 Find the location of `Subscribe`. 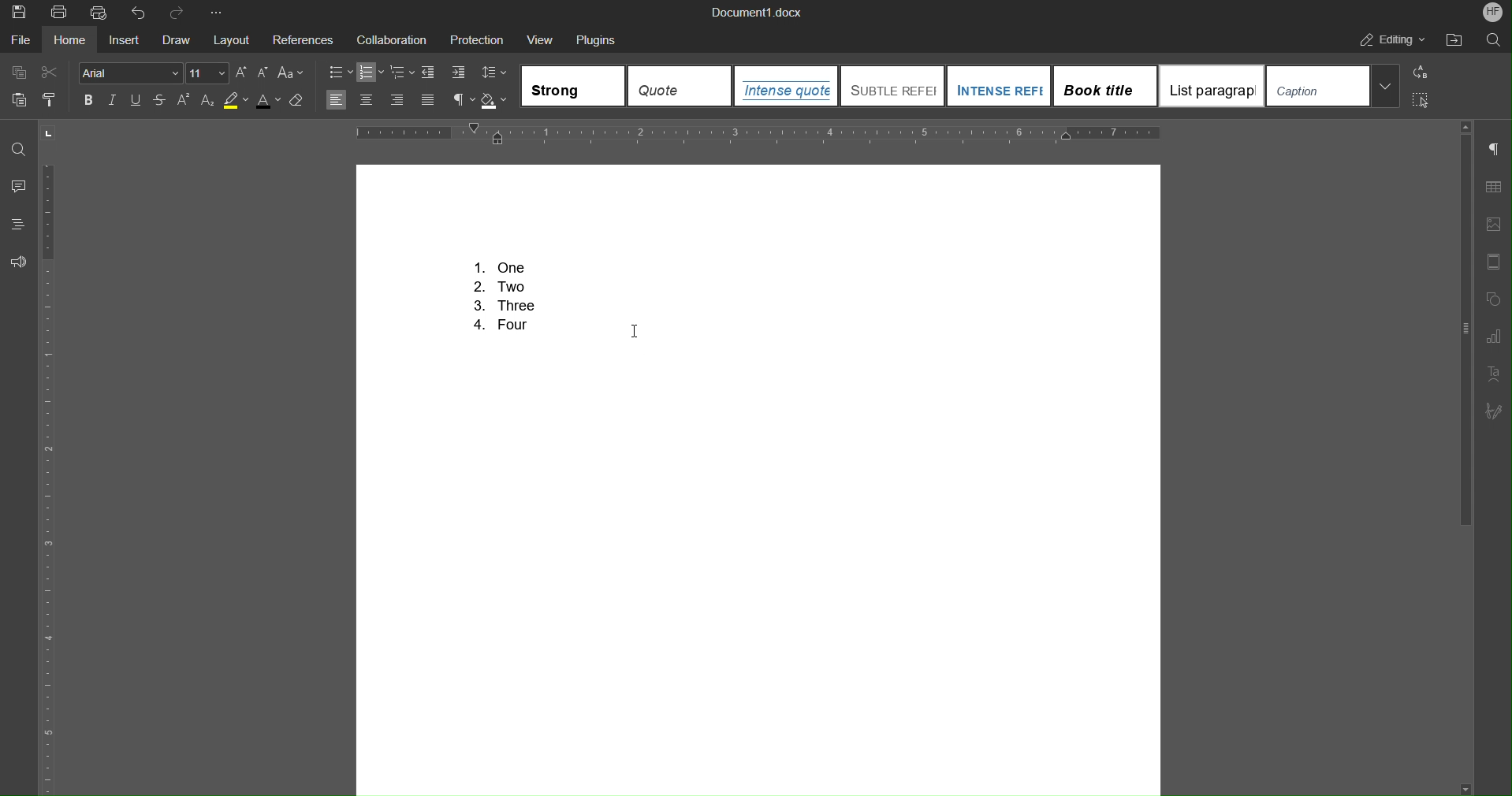

Subscribe is located at coordinates (1493, 413).